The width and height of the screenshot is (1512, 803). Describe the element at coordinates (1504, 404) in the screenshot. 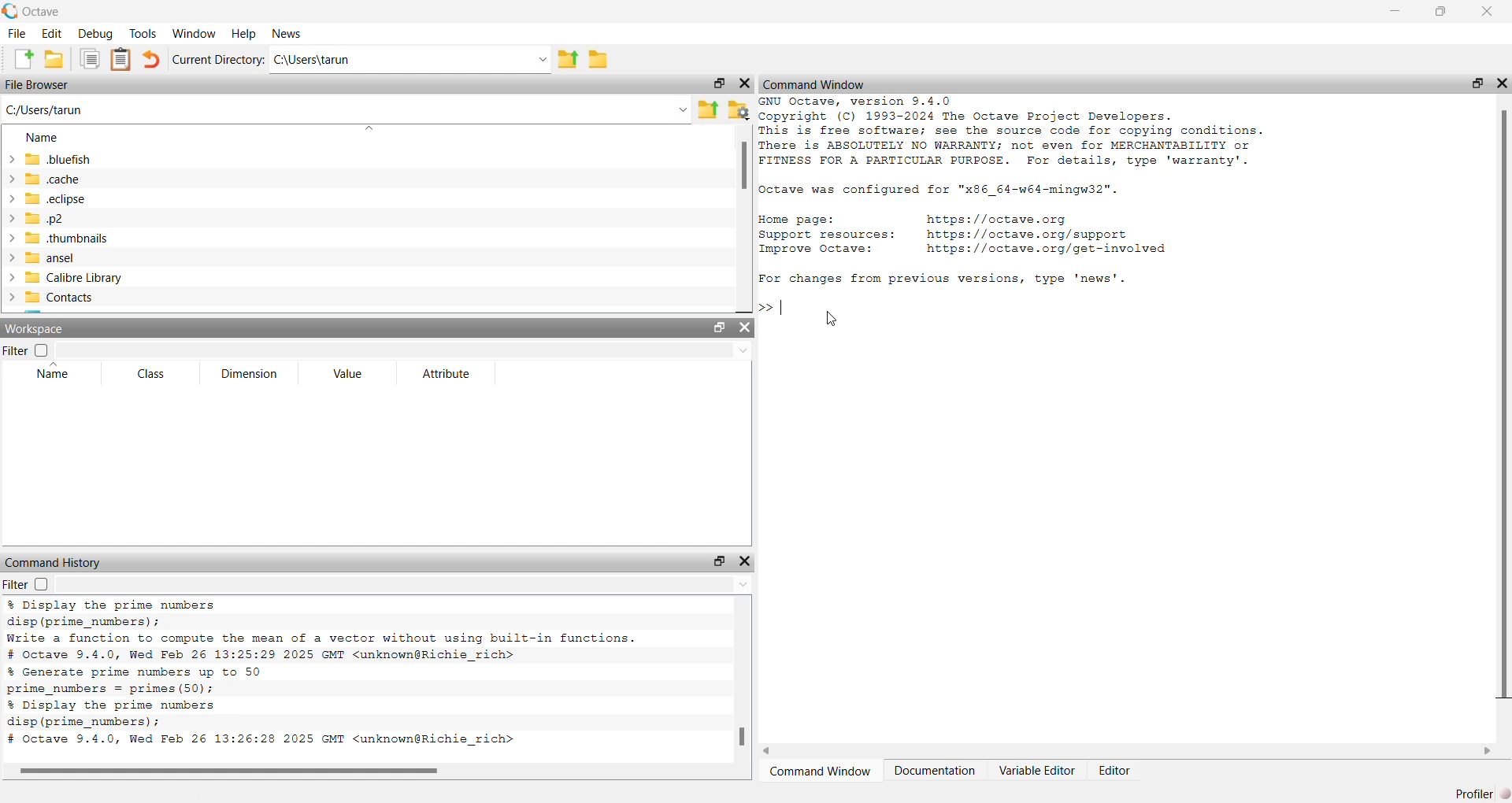

I see `scroll bar` at that location.